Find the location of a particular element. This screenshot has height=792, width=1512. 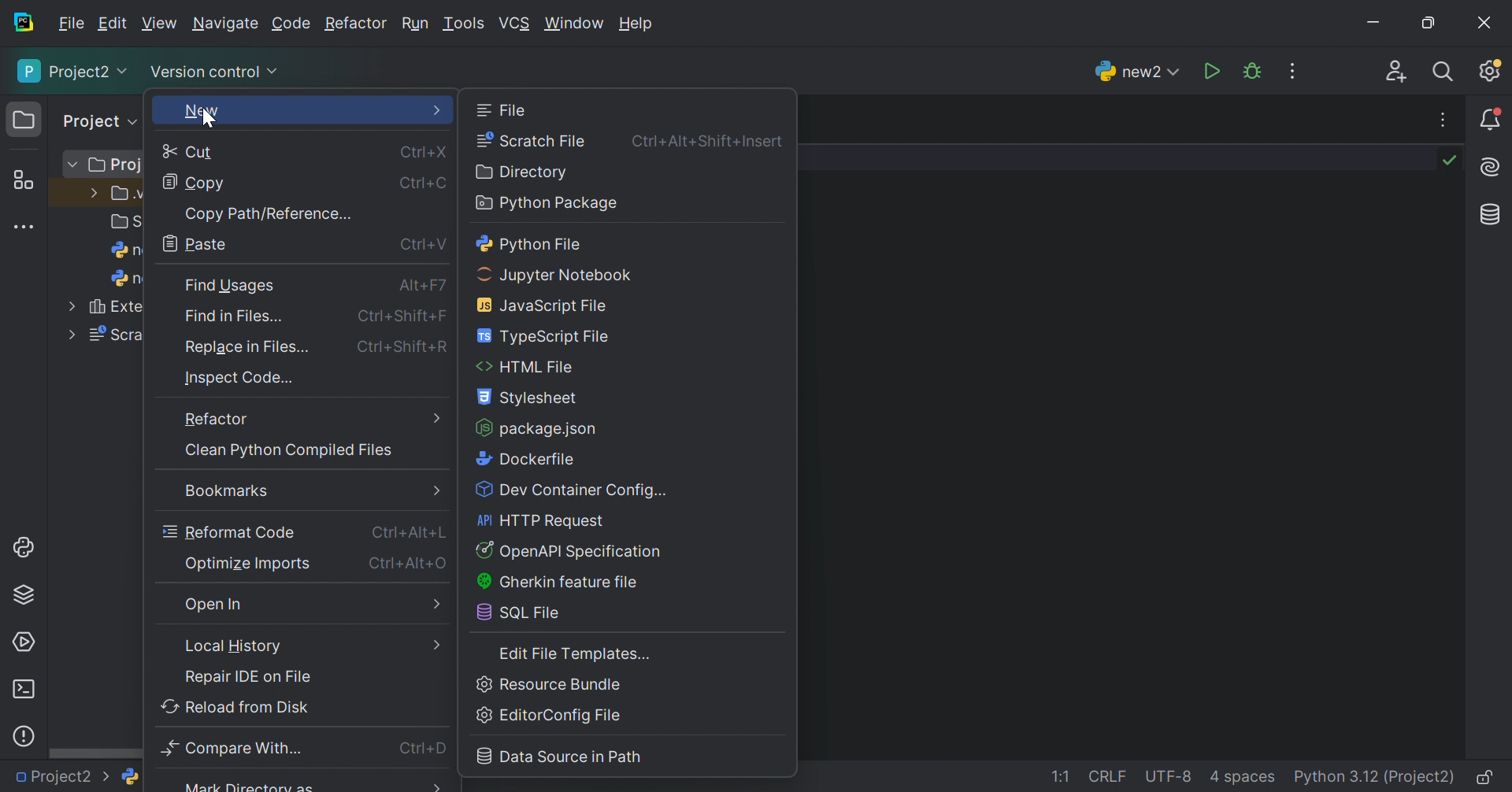

Python console is located at coordinates (21, 547).